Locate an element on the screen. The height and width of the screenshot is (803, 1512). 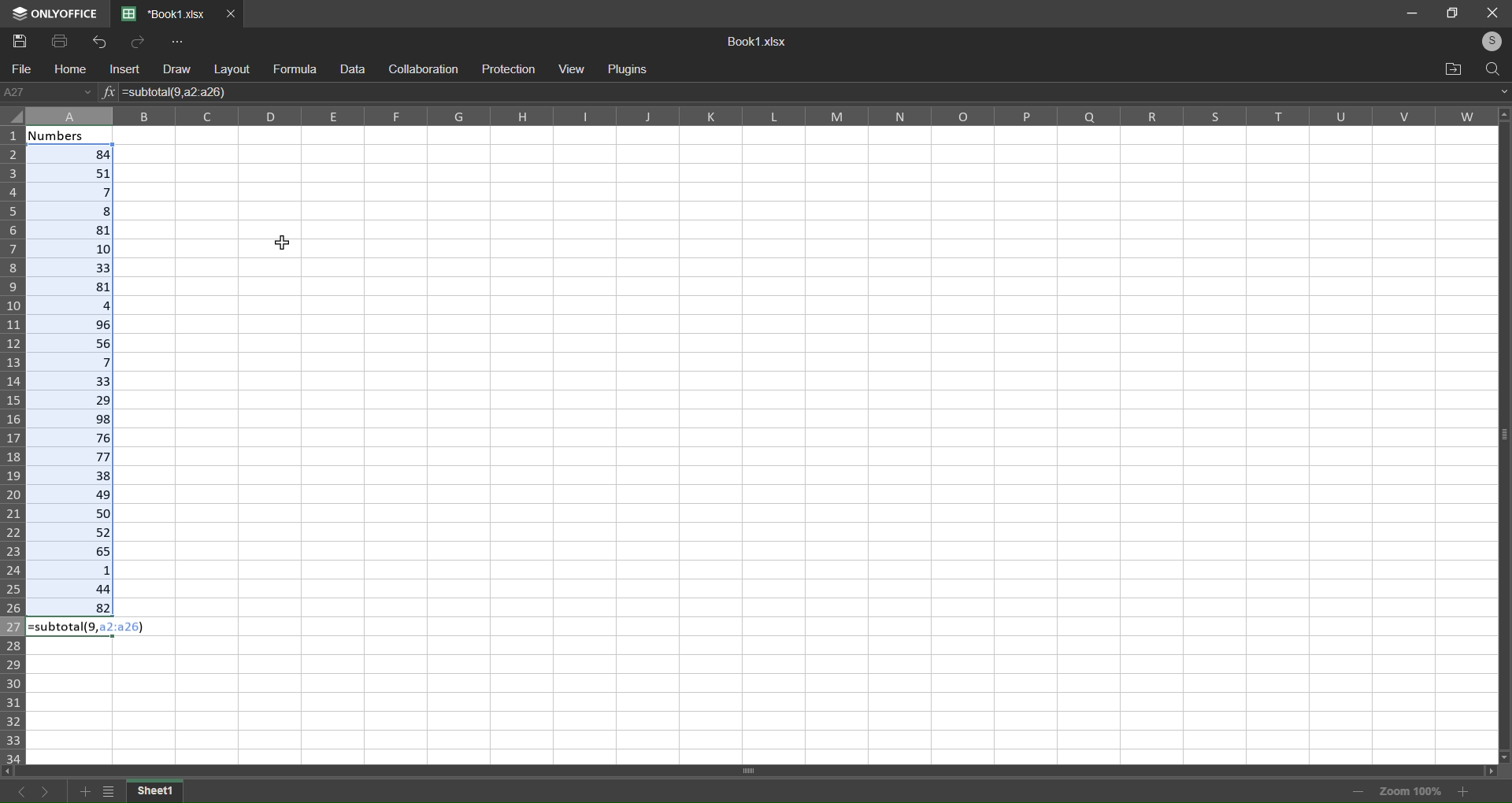
Book1.xslx is located at coordinates (761, 40).